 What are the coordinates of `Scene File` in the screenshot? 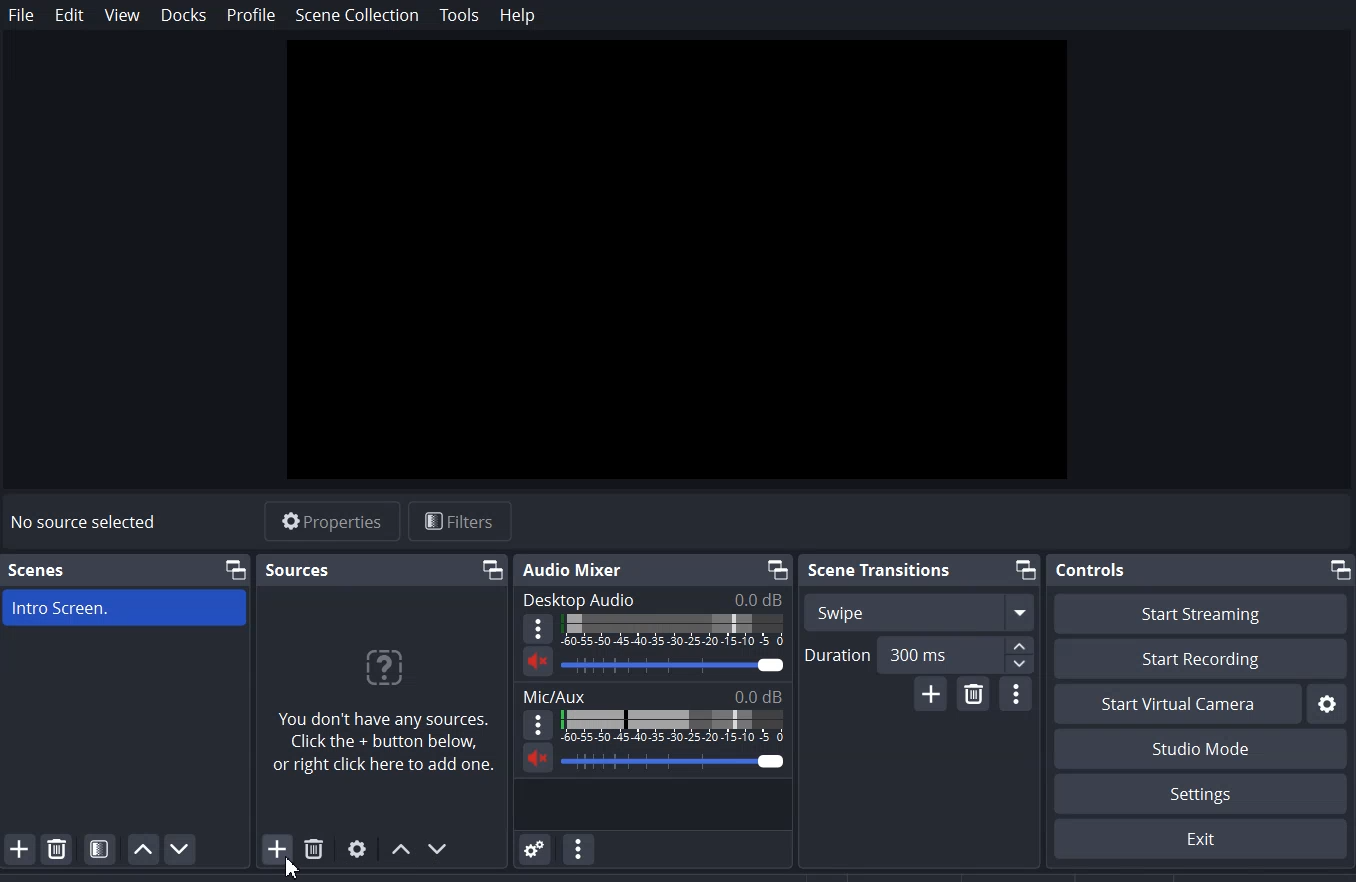 It's located at (126, 609).